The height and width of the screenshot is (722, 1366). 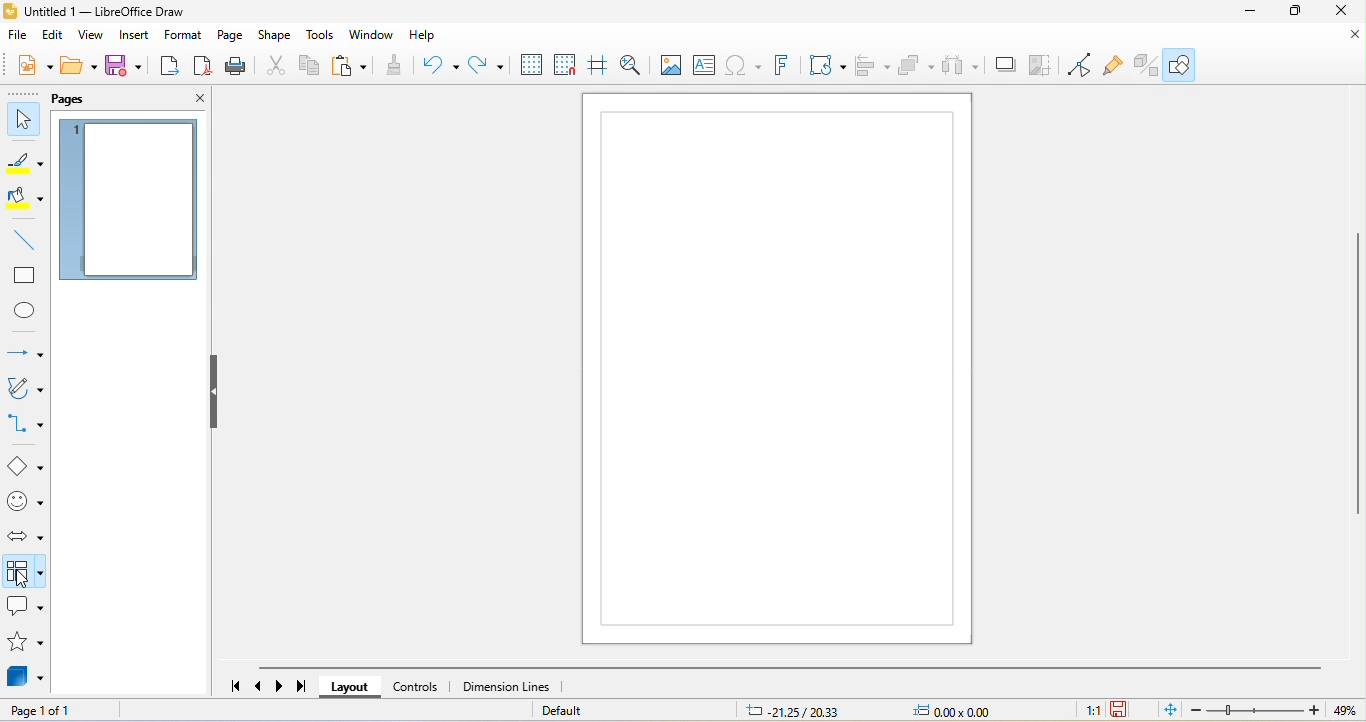 What do you see at coordinates (23, 310) in the screenshot?
I see `ellipse` at bounding box center [23, 310].